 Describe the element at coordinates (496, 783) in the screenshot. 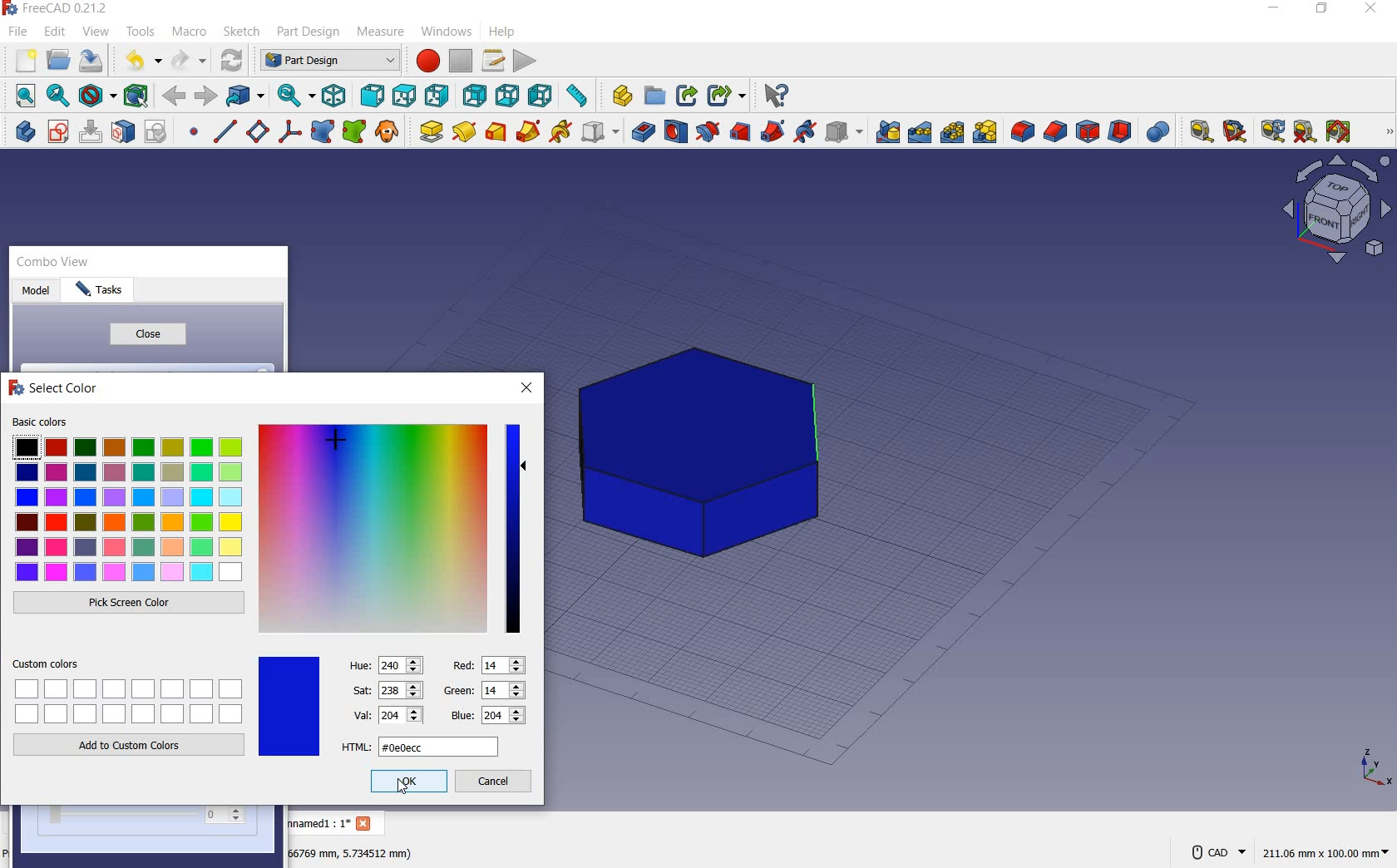

I see `cancel` at that location.